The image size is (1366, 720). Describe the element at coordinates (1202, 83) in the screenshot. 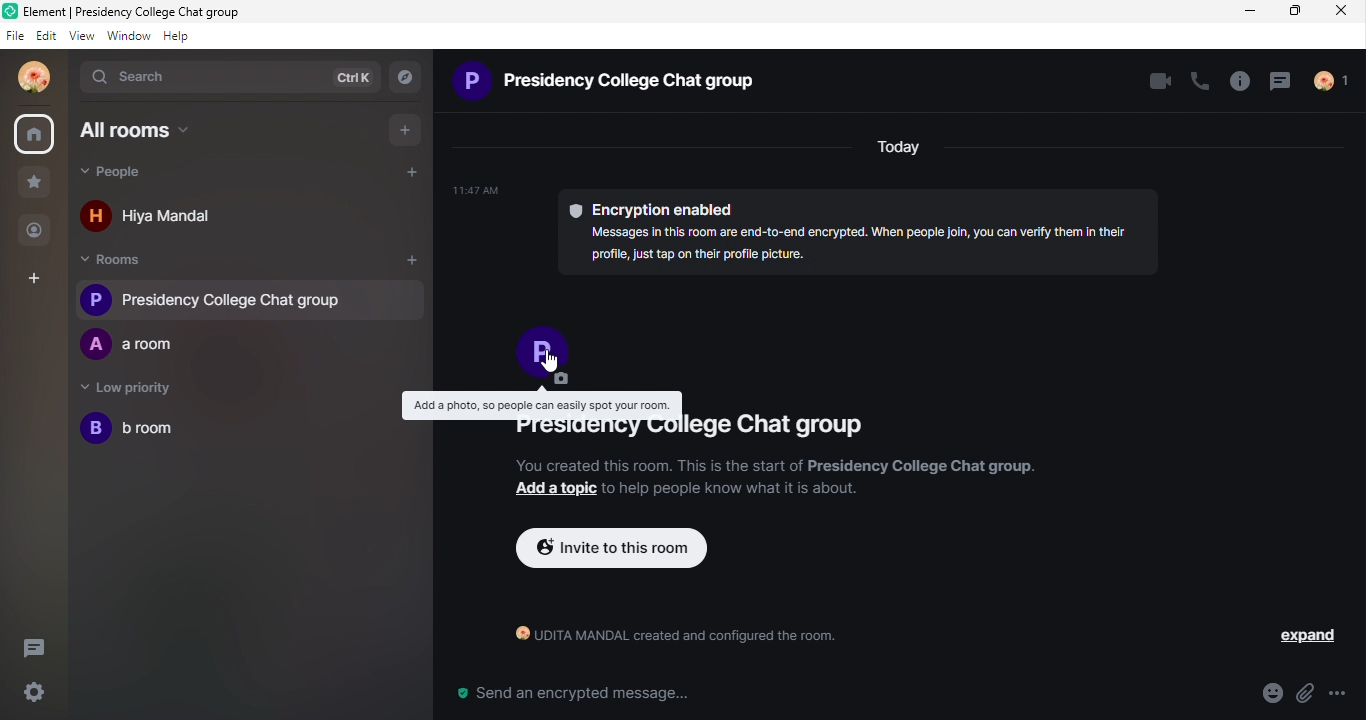

I see `voice call` at that location.